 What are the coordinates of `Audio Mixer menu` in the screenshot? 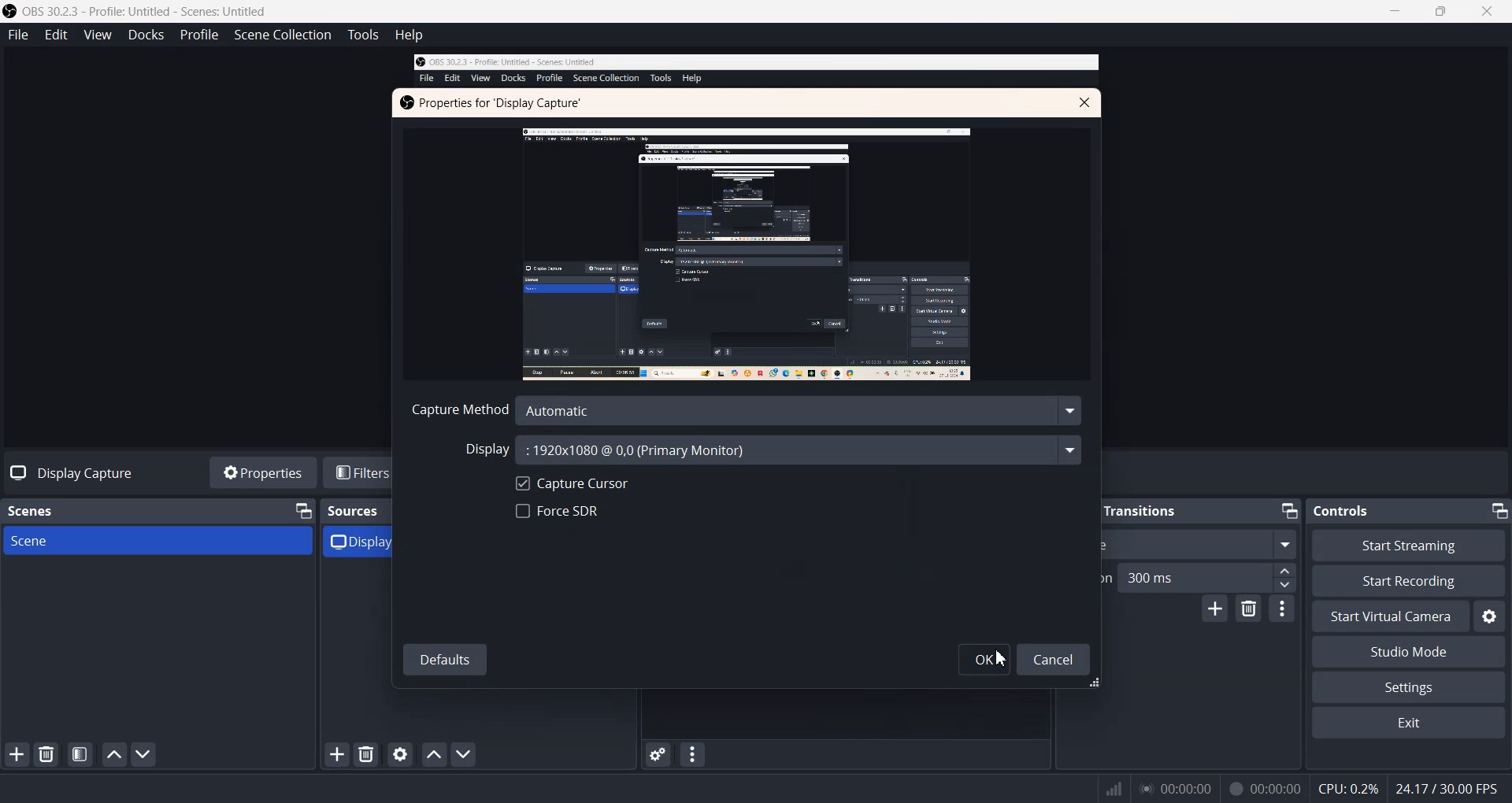 It's located at (693, 754).